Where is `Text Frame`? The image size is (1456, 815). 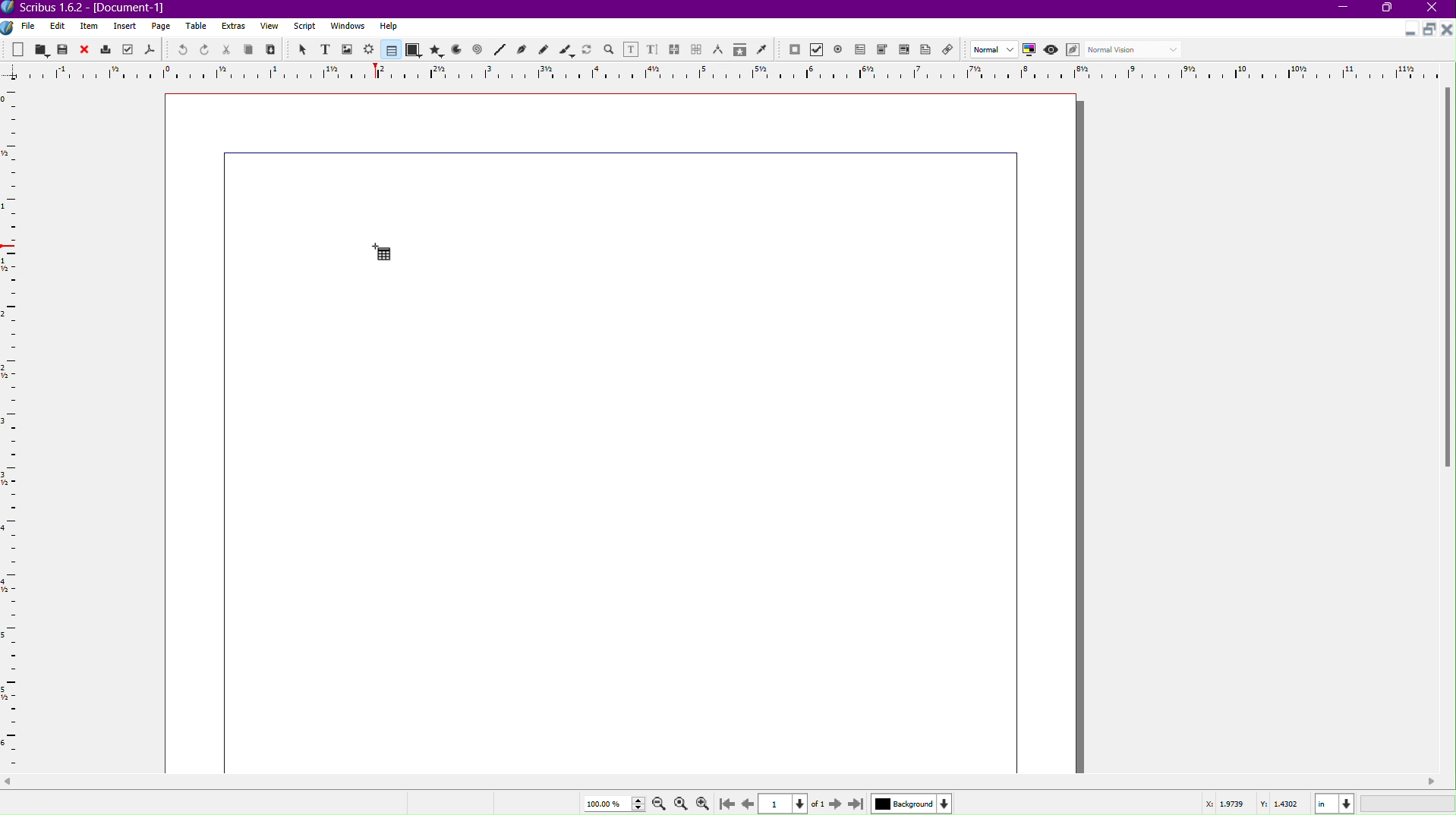 Text Frame is located at coordinates (324, 49).